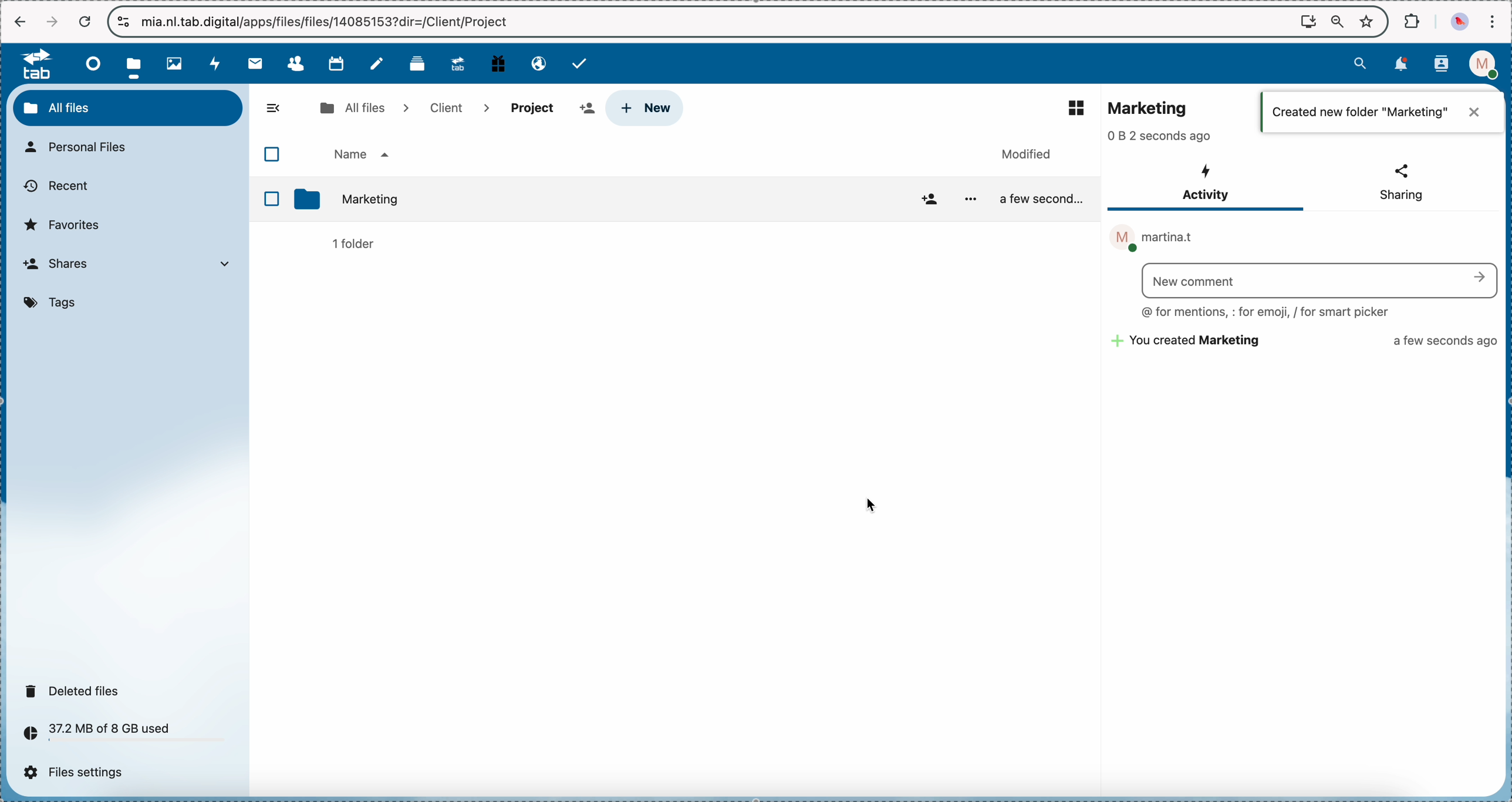 The image size is (1512, 802). I want to click on 1 folder, so click(353, 244).